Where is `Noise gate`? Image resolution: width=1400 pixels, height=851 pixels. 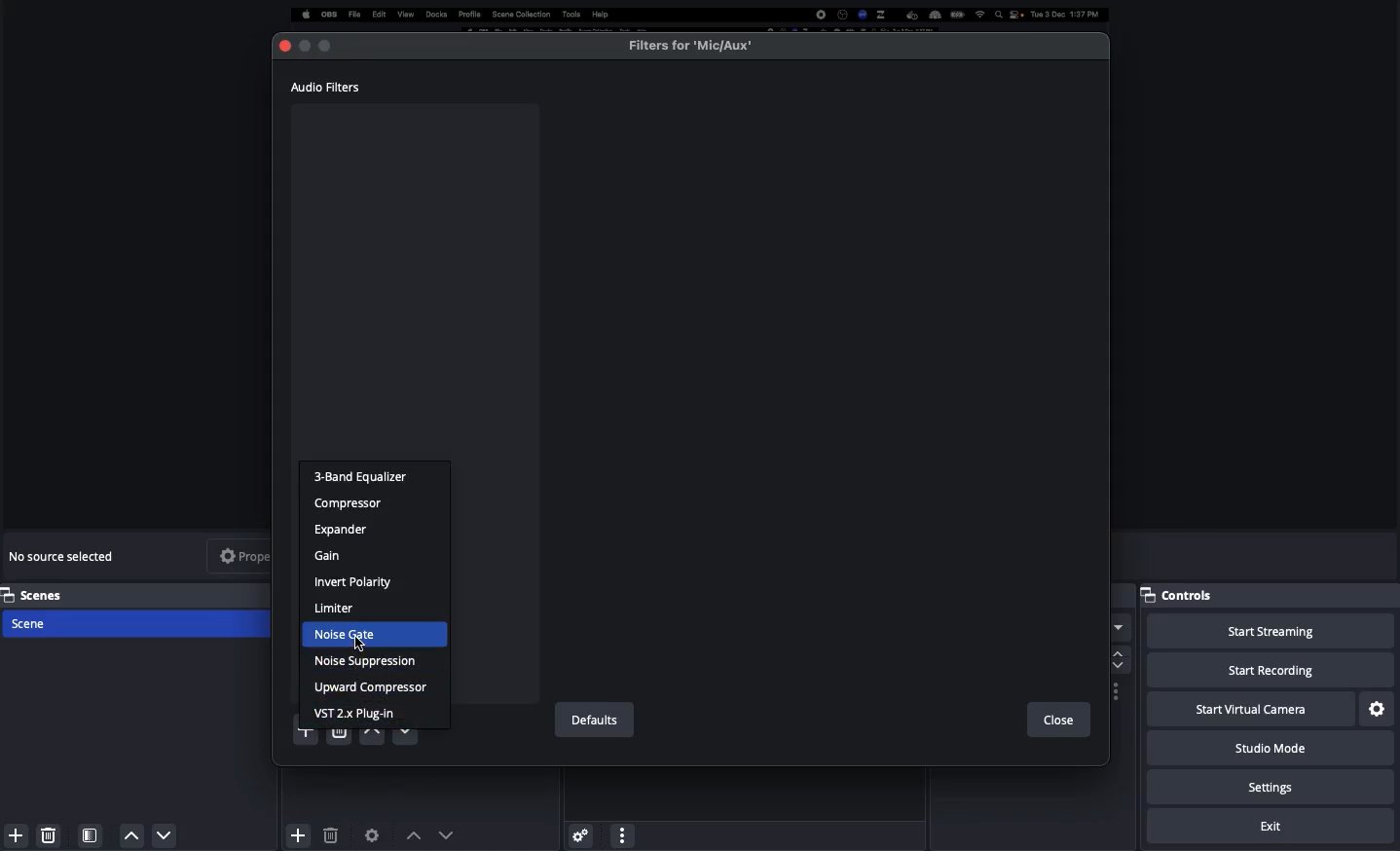 Noise gate is located at coordinates (378, 634).